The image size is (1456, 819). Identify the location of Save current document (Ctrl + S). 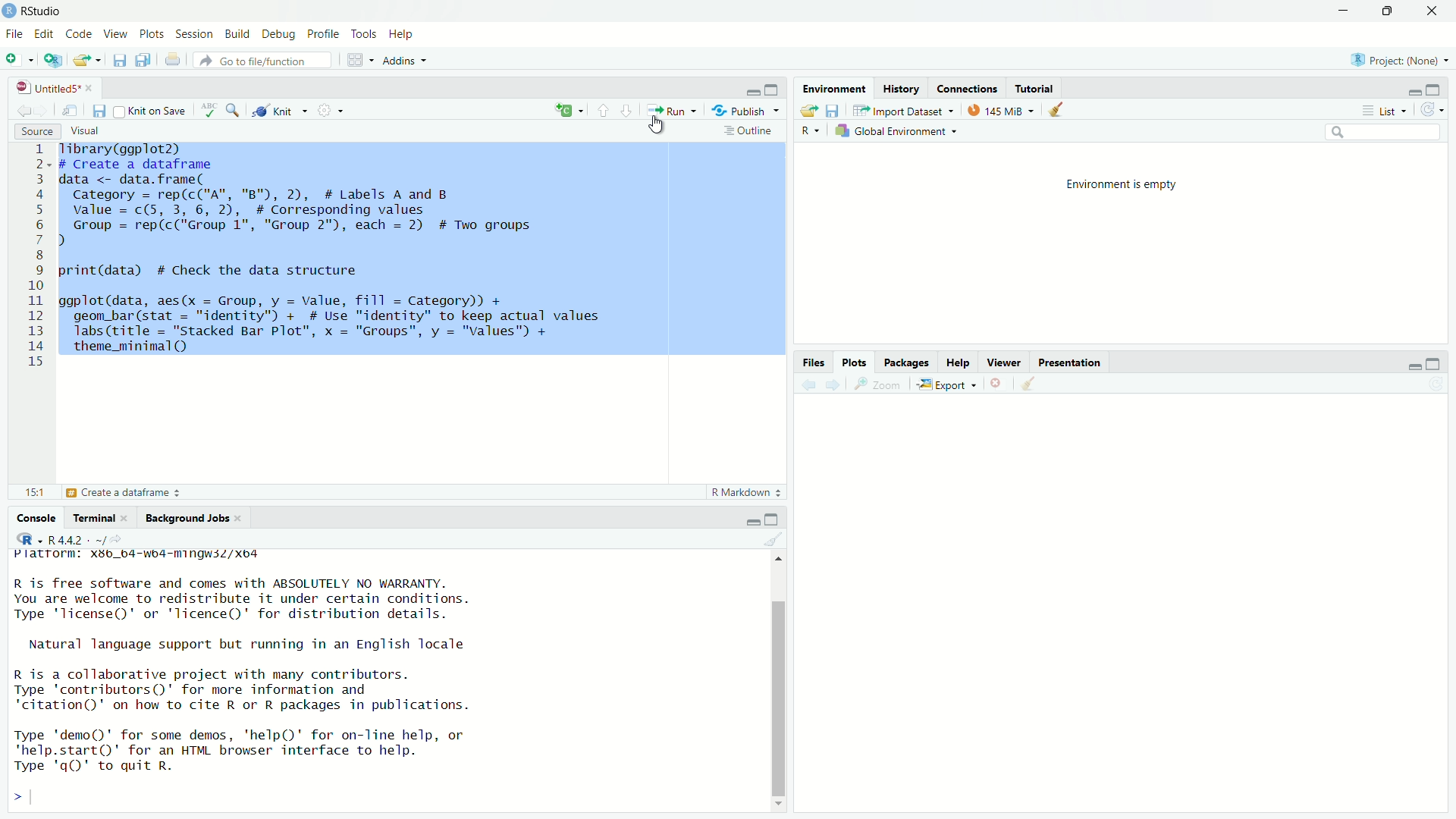
(121, 60).